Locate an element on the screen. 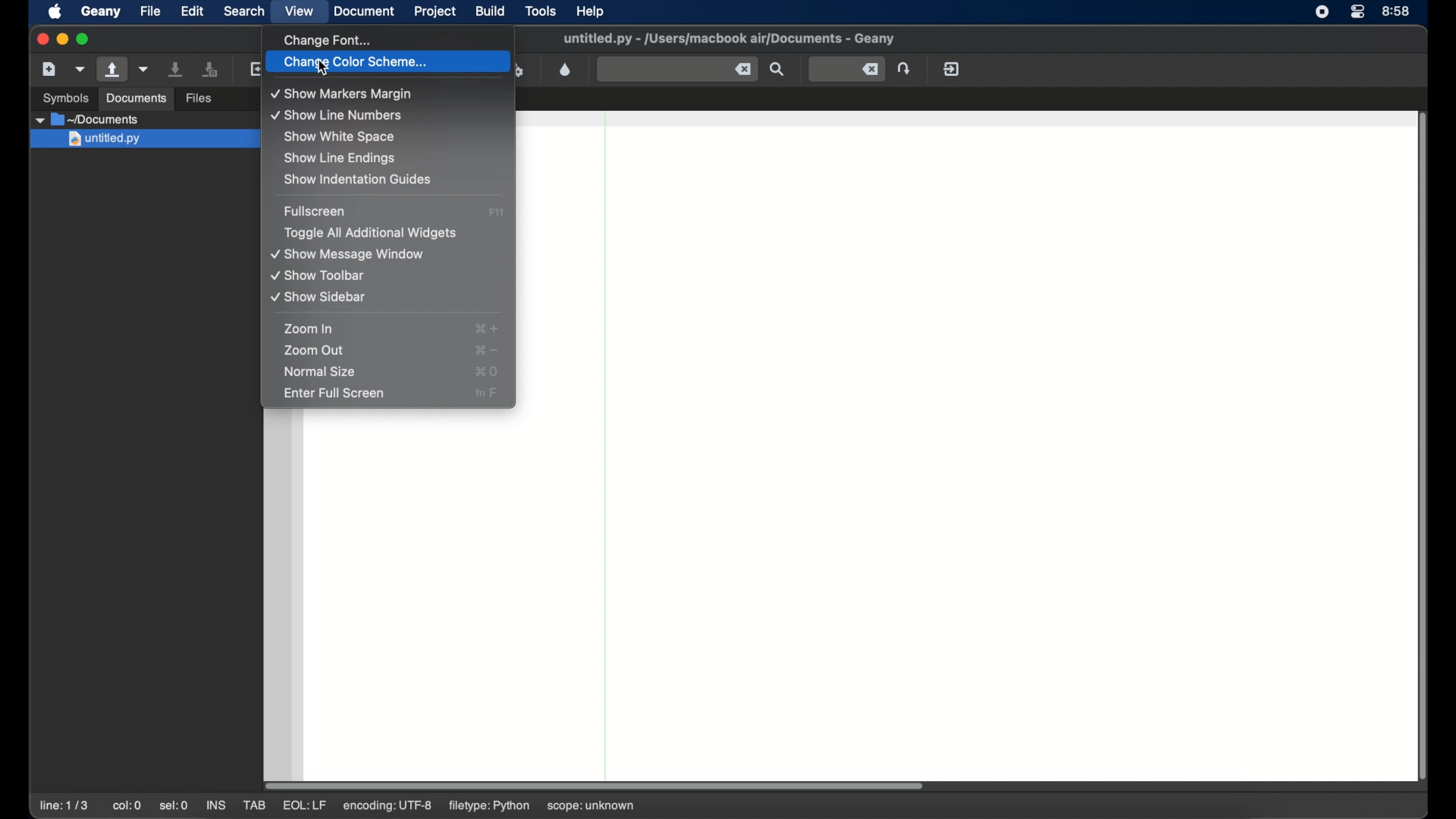  line: 1/3 is located at coordinates (64, 806).